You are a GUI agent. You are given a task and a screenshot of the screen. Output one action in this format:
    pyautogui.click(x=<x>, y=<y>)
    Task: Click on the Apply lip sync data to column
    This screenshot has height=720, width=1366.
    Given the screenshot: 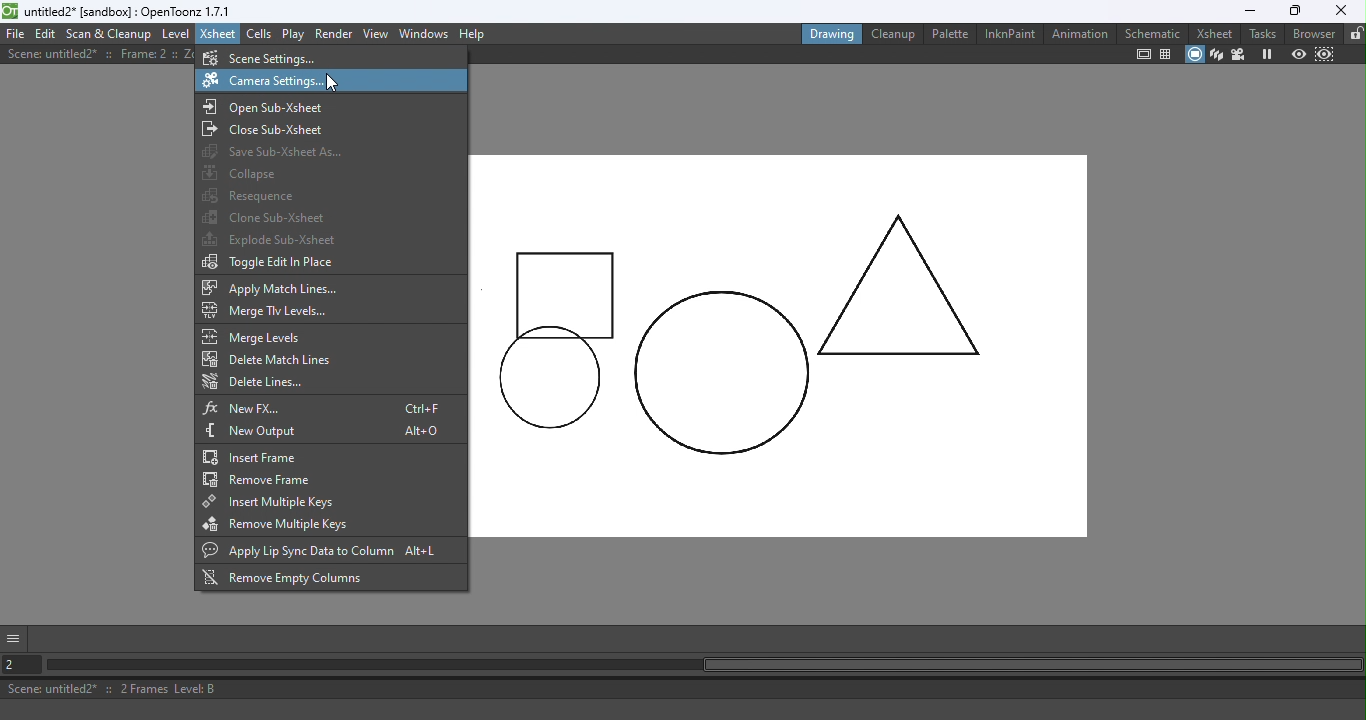 What is the action you would take?
    pyautogui.click(x=331, y=550)
    